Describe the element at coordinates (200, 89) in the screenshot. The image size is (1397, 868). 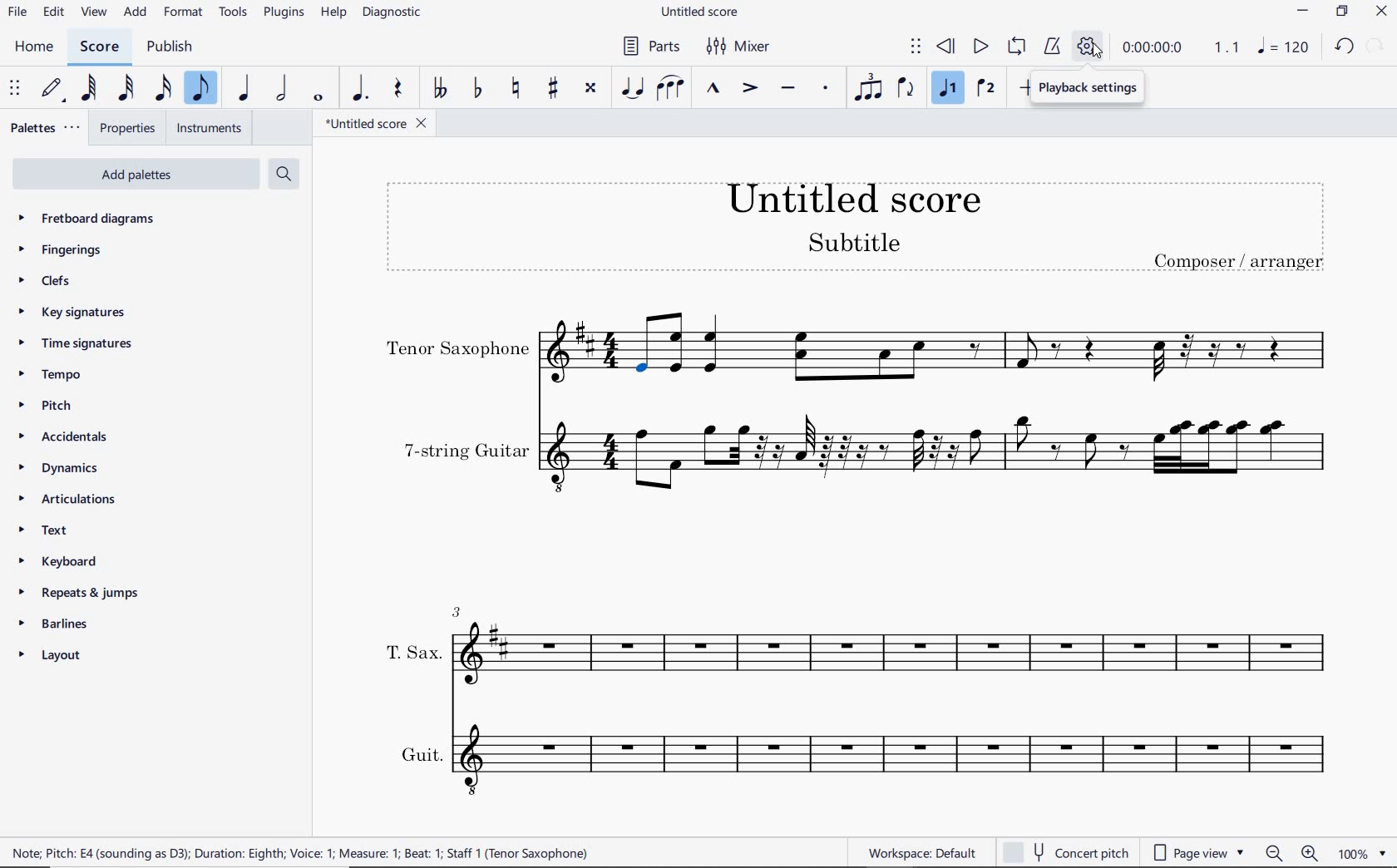
I see `EIGHTH NOTE` at that location.